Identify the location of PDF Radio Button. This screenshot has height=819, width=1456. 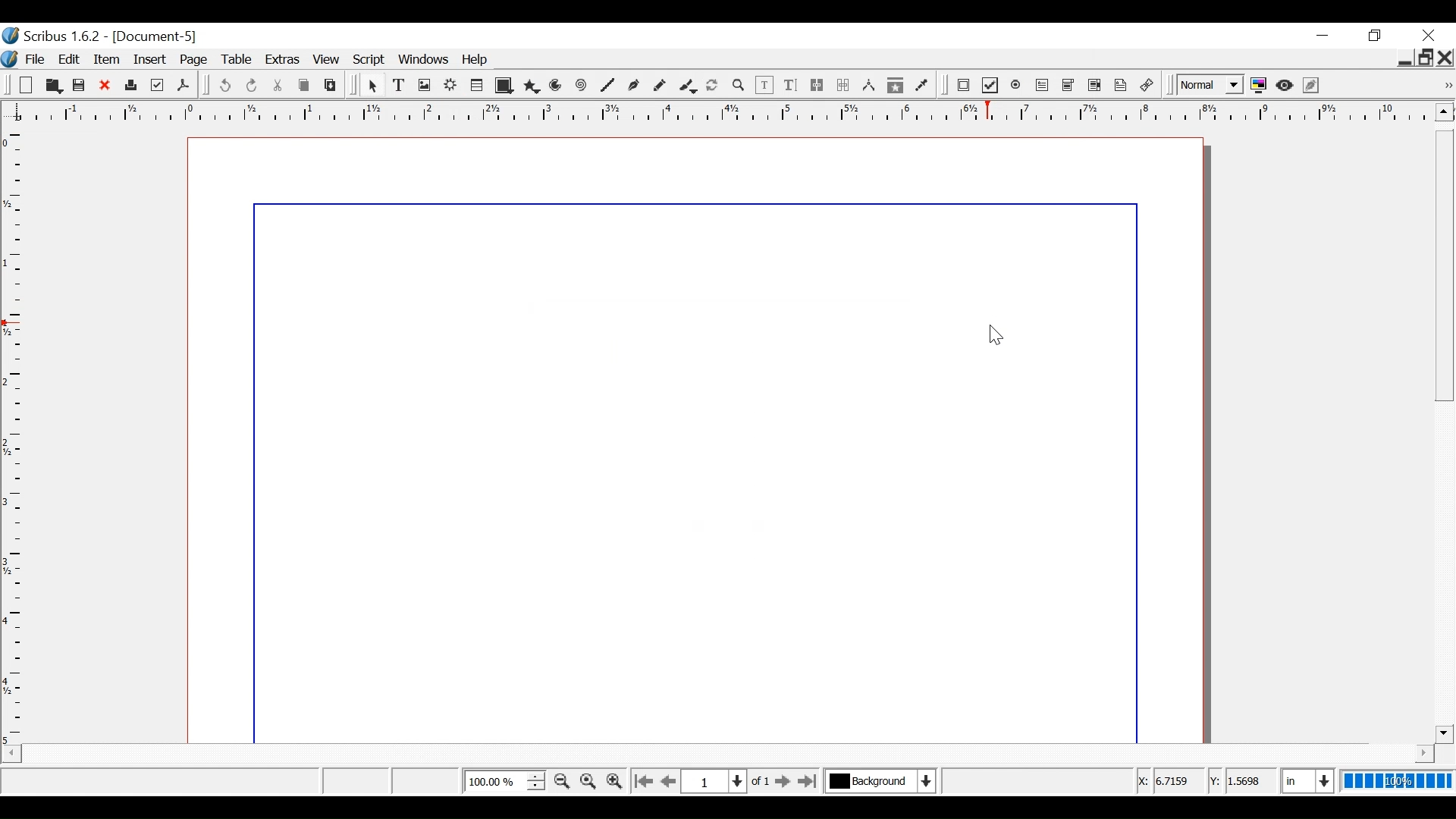
(1017, 86).